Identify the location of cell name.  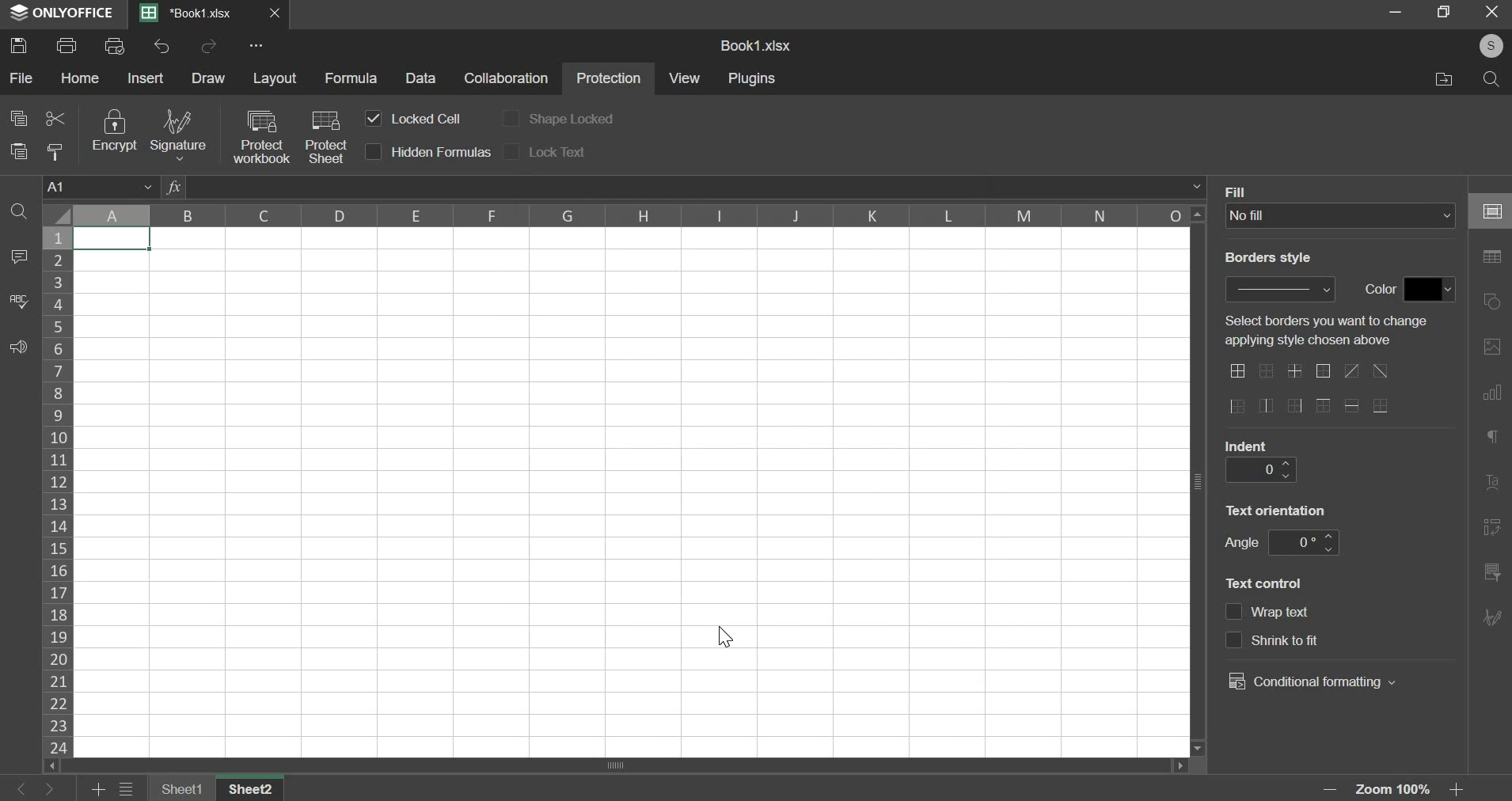
(101, 185).